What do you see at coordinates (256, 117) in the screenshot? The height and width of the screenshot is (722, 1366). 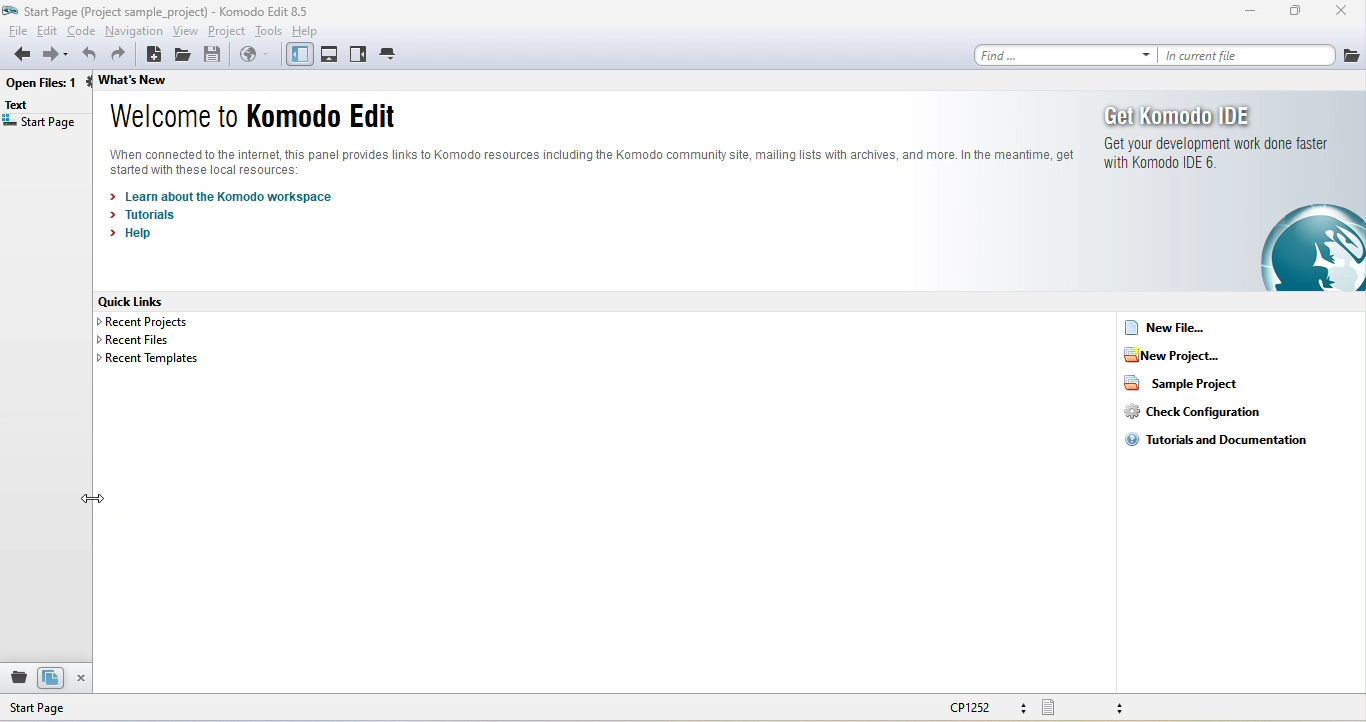 I see `welcome to komodo edit` at bounding box center [256, 117].